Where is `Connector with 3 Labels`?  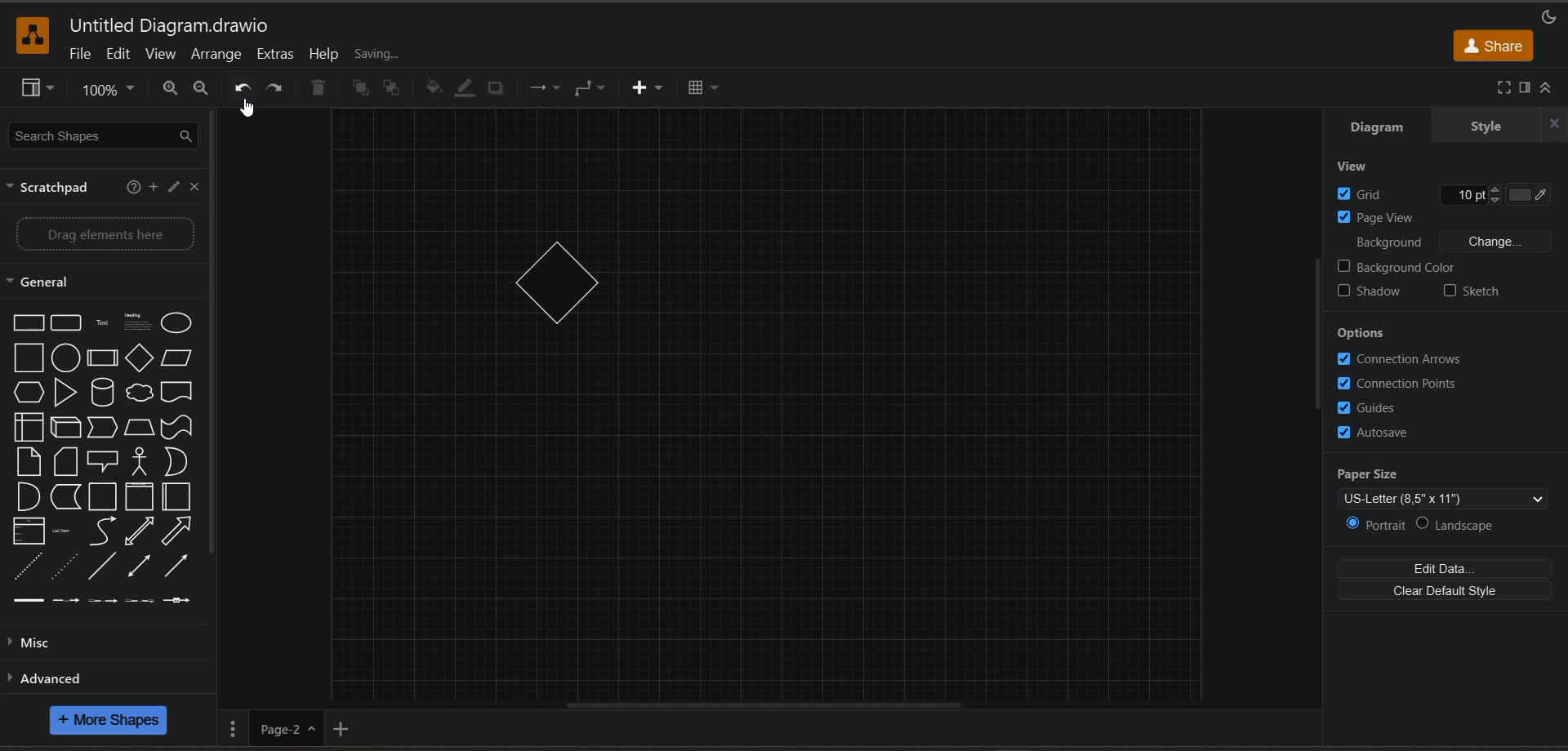
Connector with 3 Labels is located at coordinates (139, 600).